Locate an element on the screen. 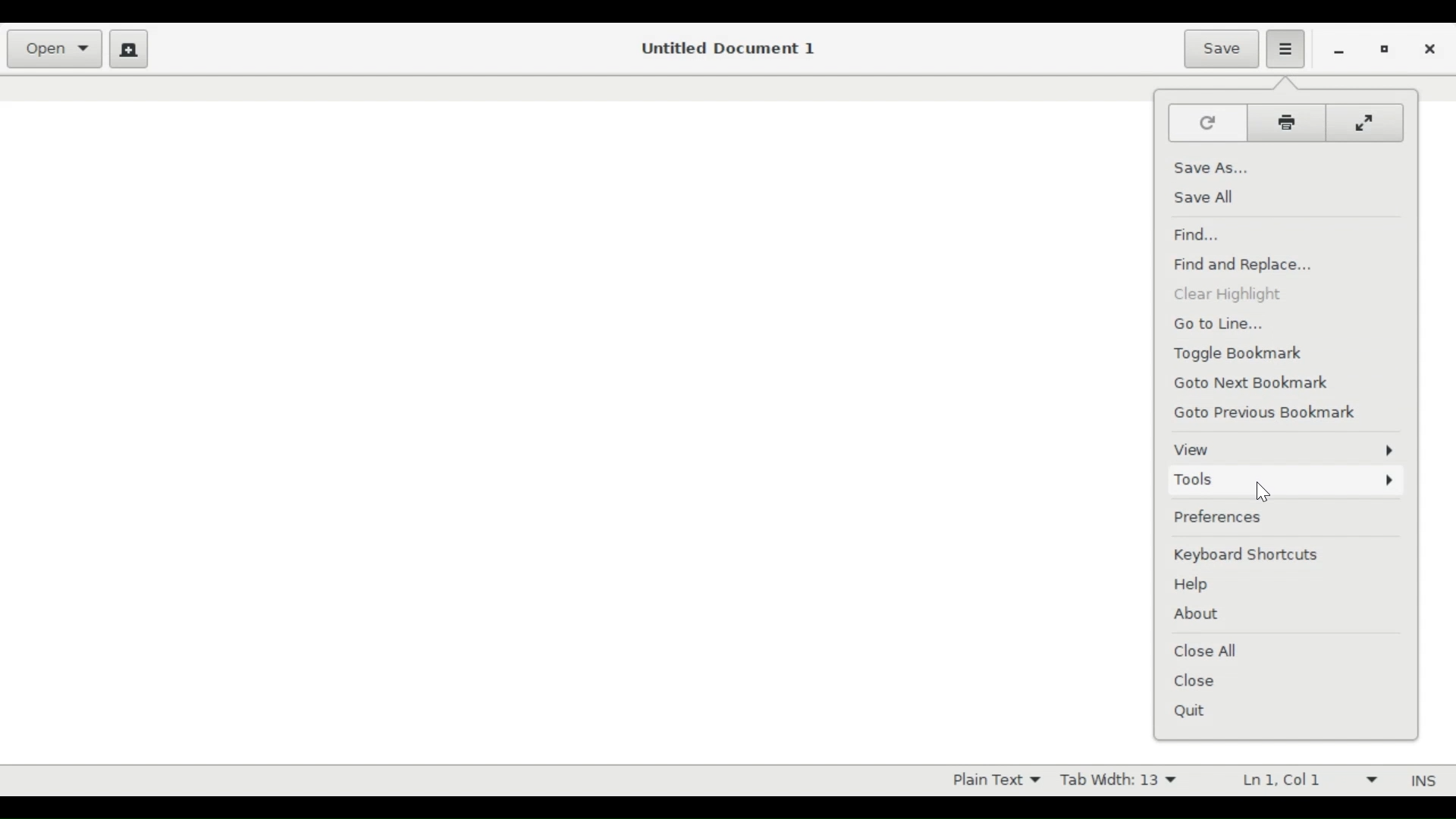 The width and height of the screenshot is (1456, 819). Print is located at coordinates (1290, 121).